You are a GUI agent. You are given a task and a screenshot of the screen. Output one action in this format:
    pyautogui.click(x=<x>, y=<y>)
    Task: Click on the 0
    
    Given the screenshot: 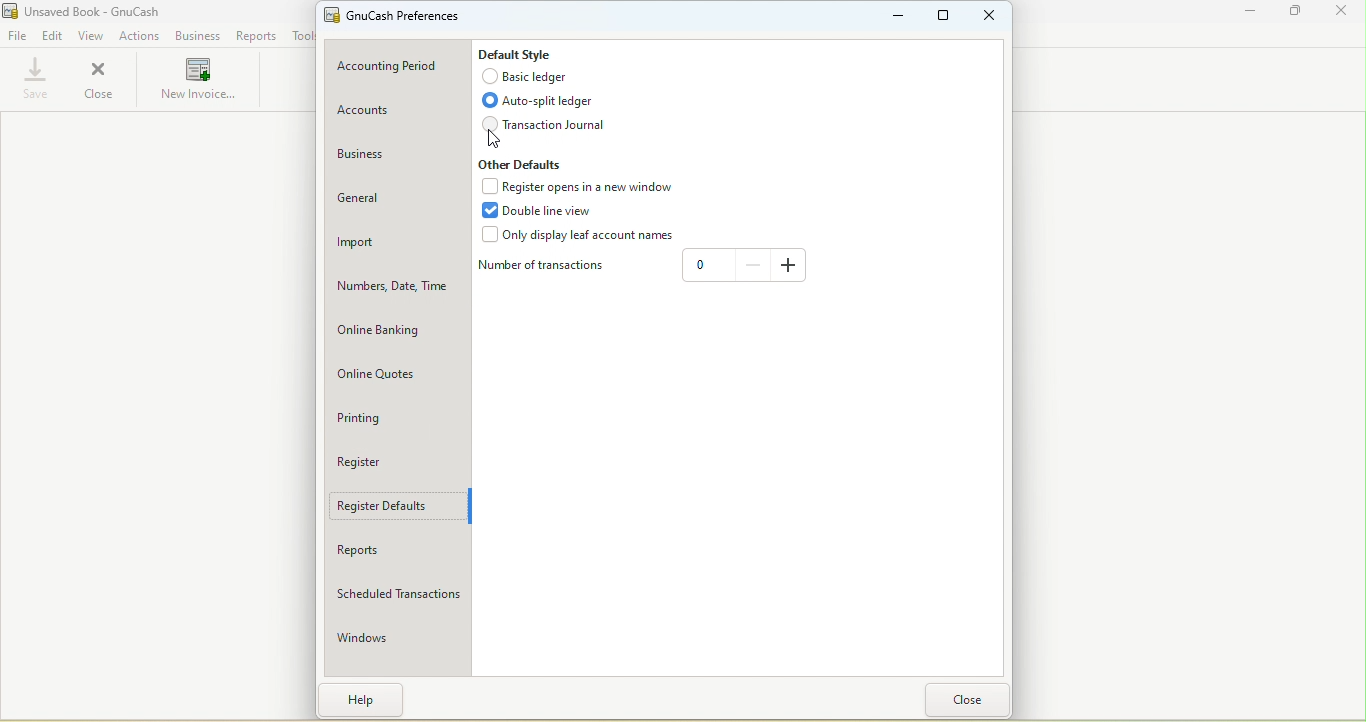 What is the action you would take?
    pyautogui.click(x=707, y=264)
    